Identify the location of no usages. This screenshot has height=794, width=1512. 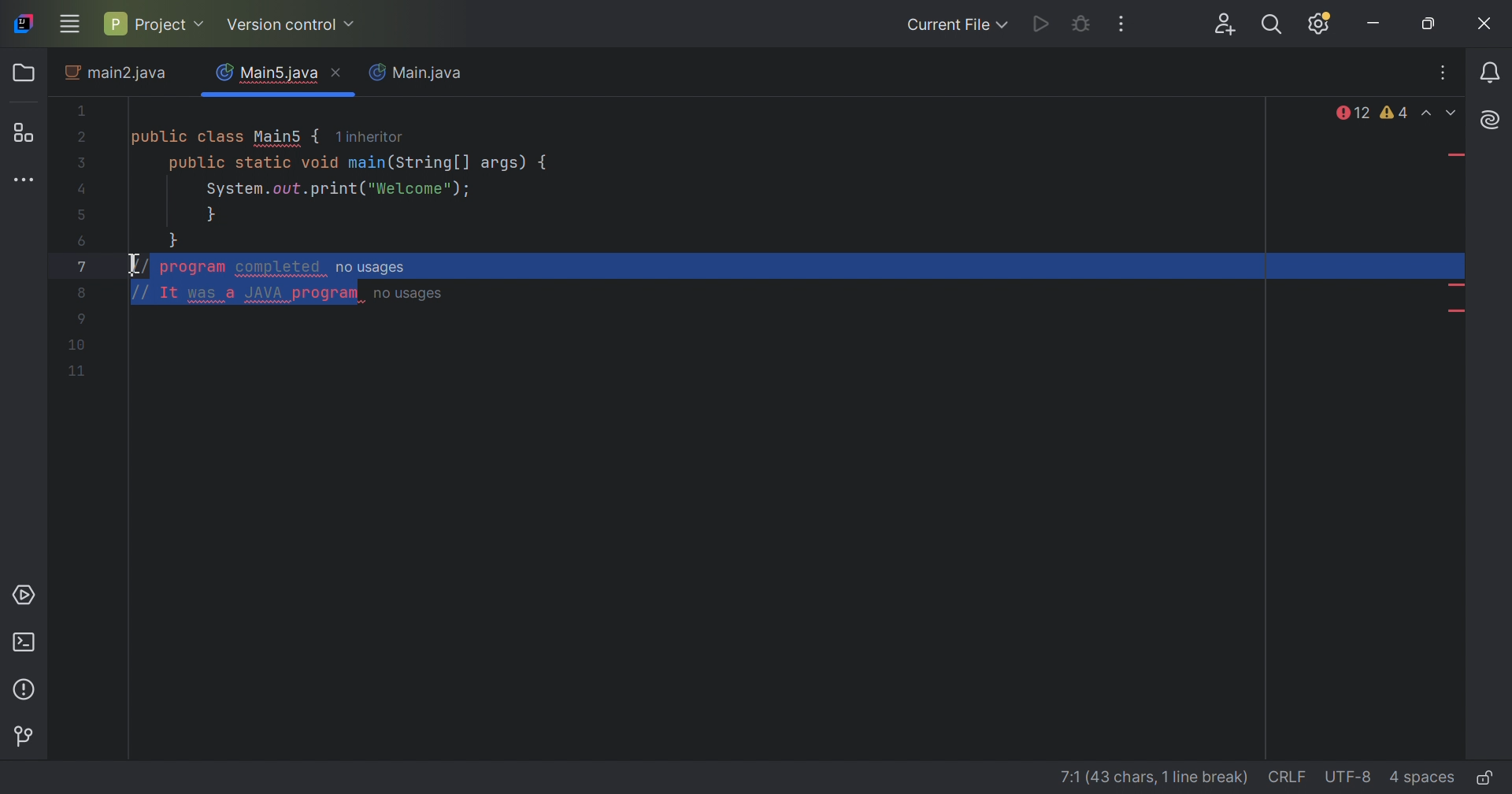
(369, 268).